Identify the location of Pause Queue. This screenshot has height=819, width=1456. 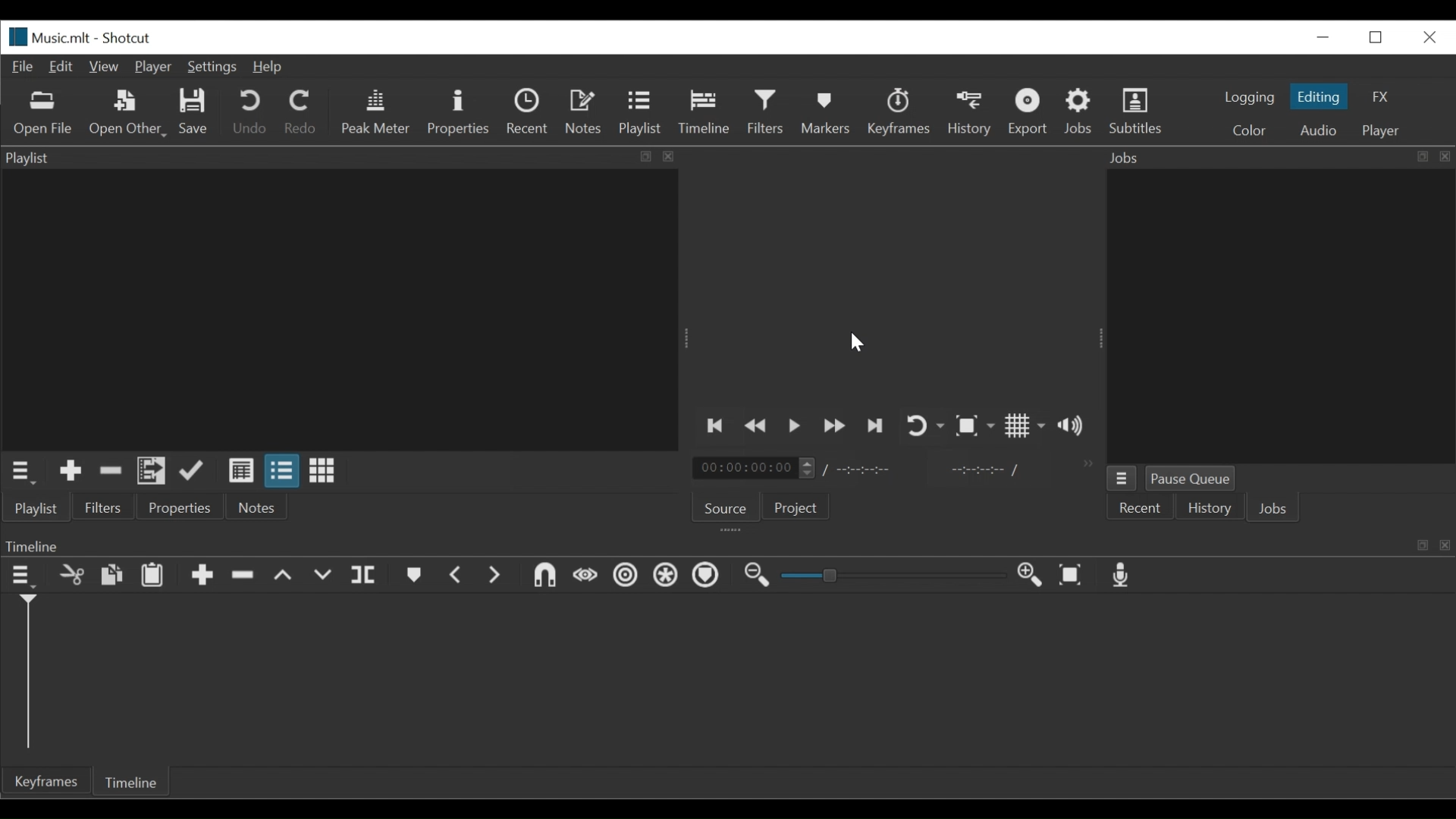
(1195, 478).